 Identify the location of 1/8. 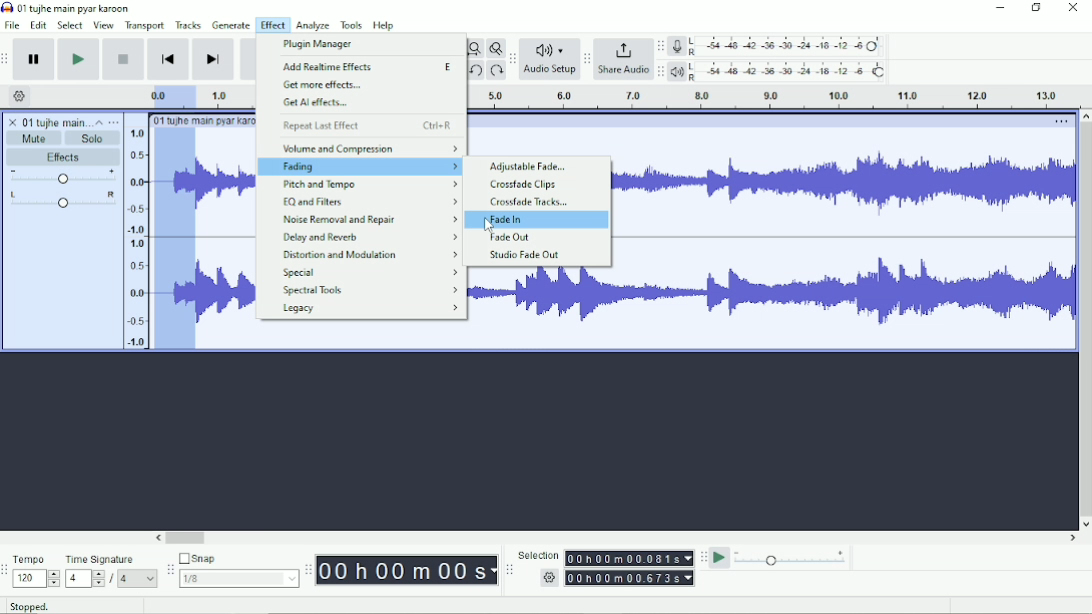
(238, 578).